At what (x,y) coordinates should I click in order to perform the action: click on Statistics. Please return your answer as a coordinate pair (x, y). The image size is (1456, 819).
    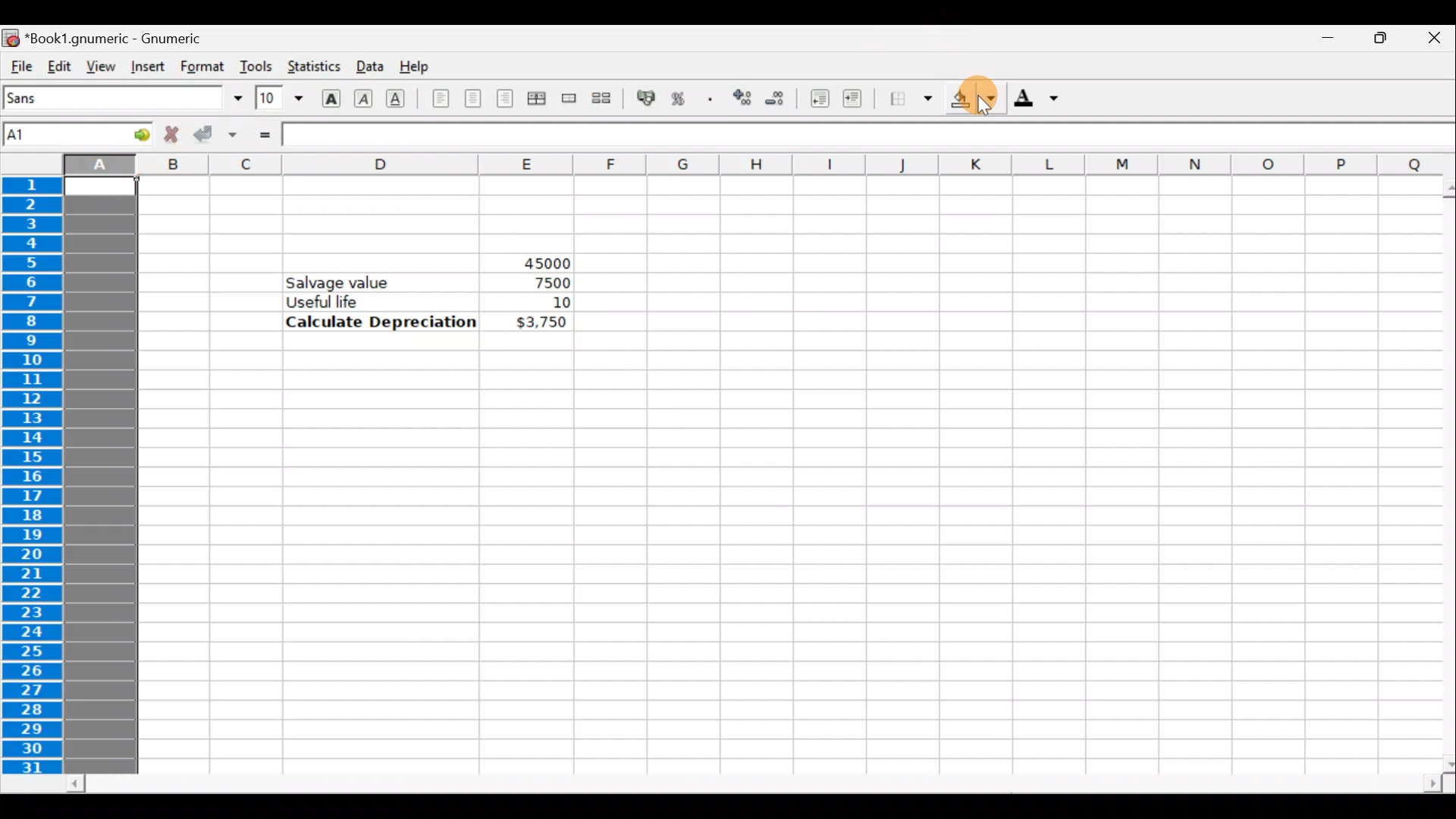
    Looking at the image, I should click on (312, 67).